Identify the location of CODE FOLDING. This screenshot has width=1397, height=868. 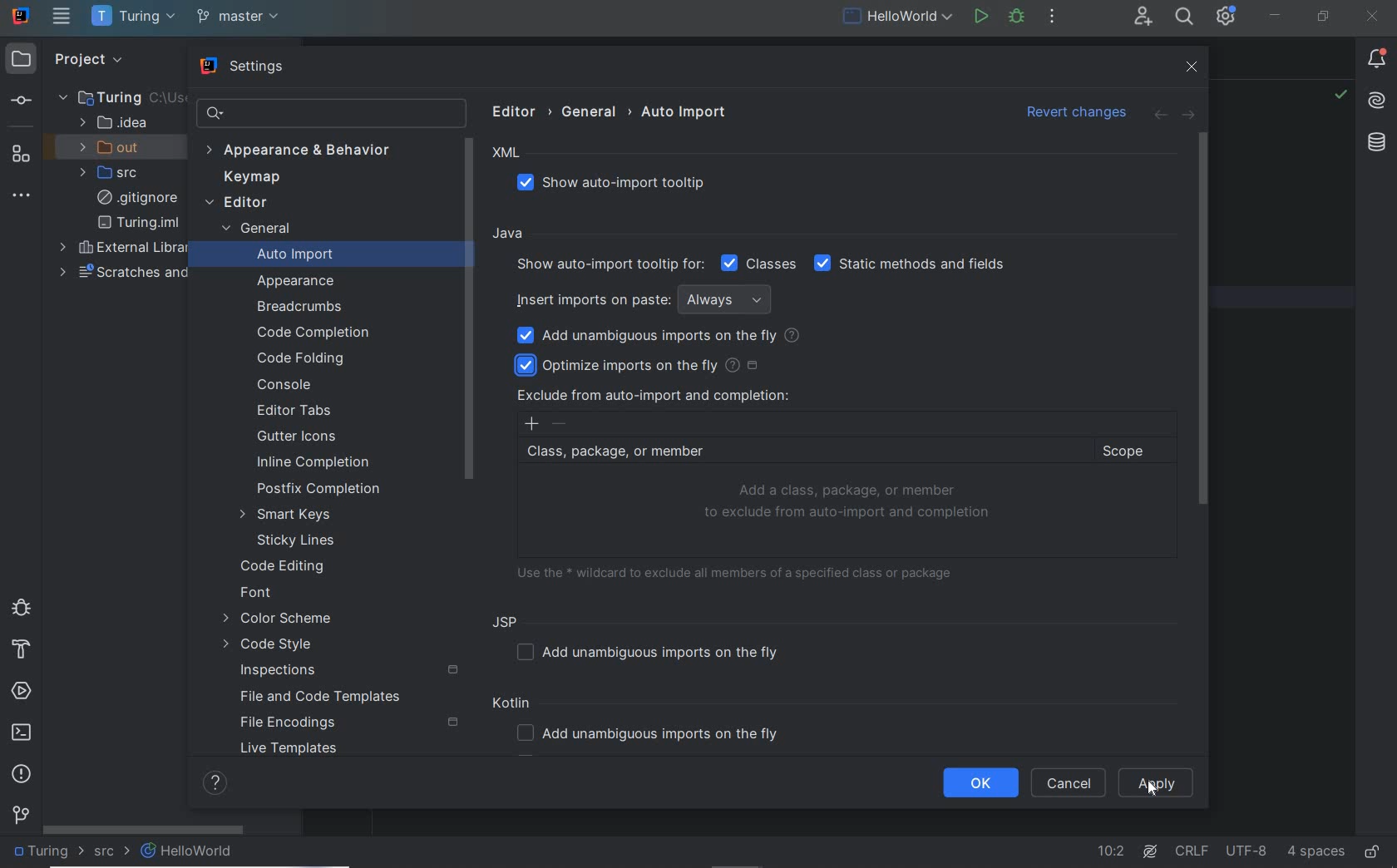
(303, 359).